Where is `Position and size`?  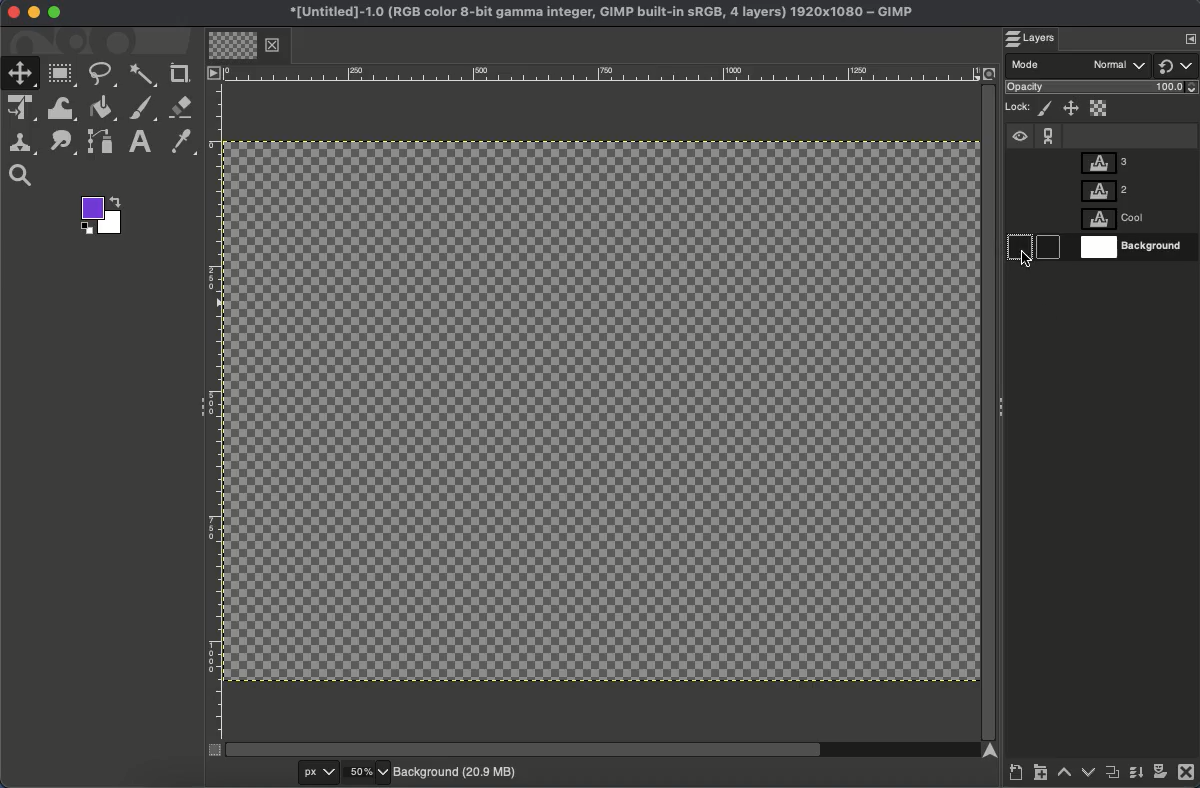
Position and size is located at coordinates (1072, 110).